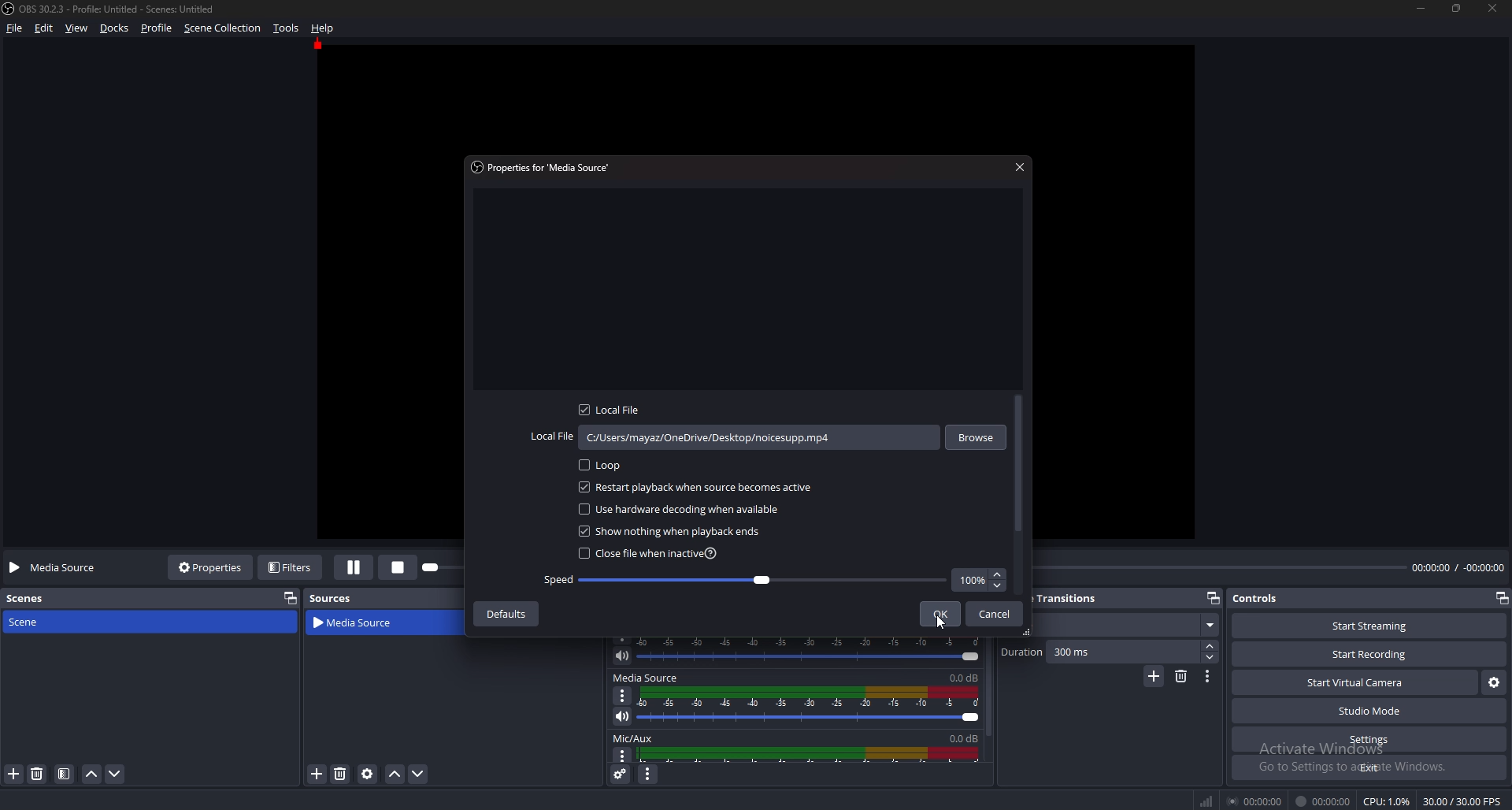 The width and height of the screenshot is (1512, 810). Describe the element at coordinates (647, 775) in the screenshot. I see ` Audio mixer menu` at that location.